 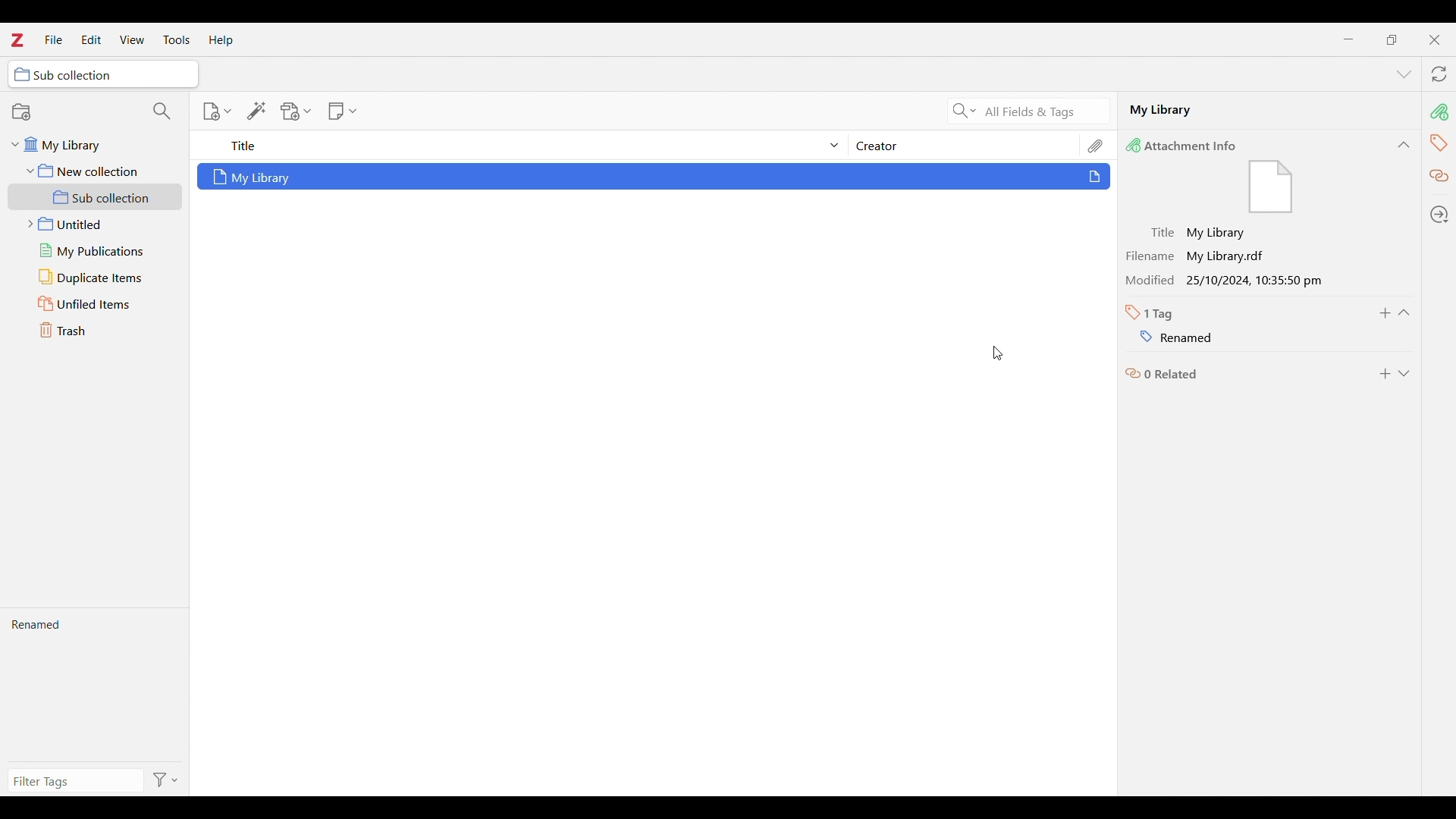 I want to click on tag, so click(x=1439, y=142).